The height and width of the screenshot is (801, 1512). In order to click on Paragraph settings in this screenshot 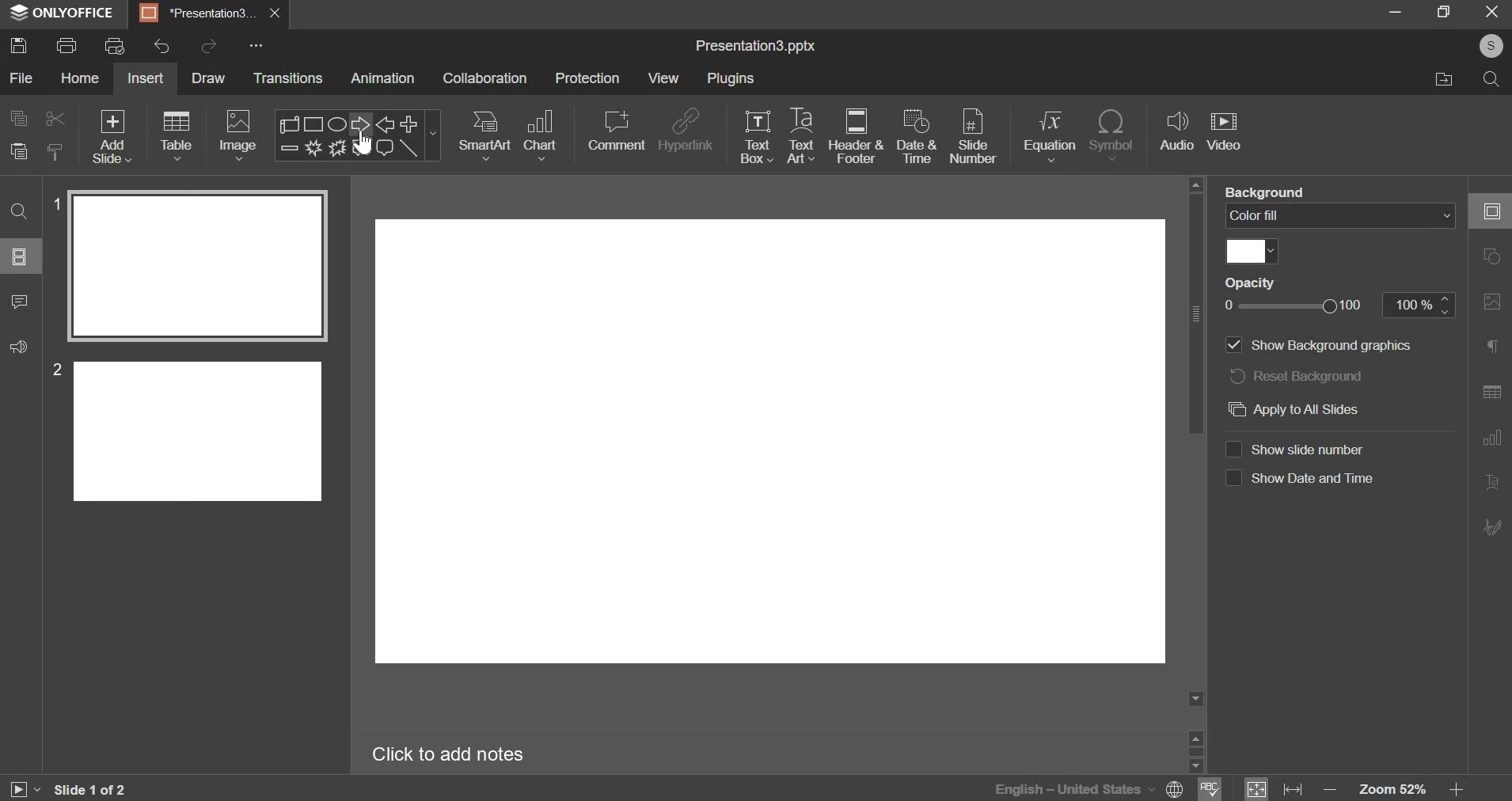, I will do `click(1492, 345)`.